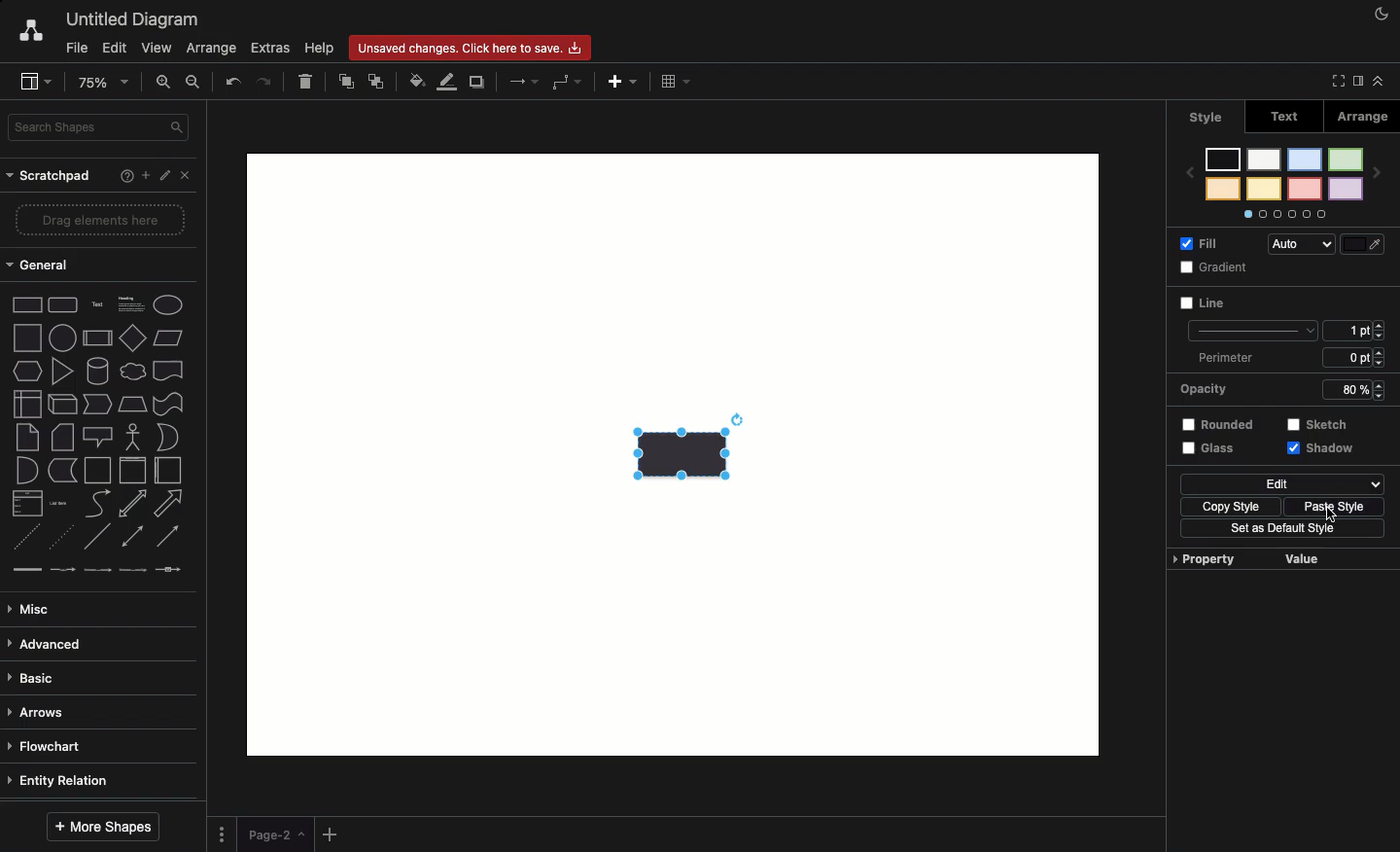  I want to click on triangle, so click(61, 370).